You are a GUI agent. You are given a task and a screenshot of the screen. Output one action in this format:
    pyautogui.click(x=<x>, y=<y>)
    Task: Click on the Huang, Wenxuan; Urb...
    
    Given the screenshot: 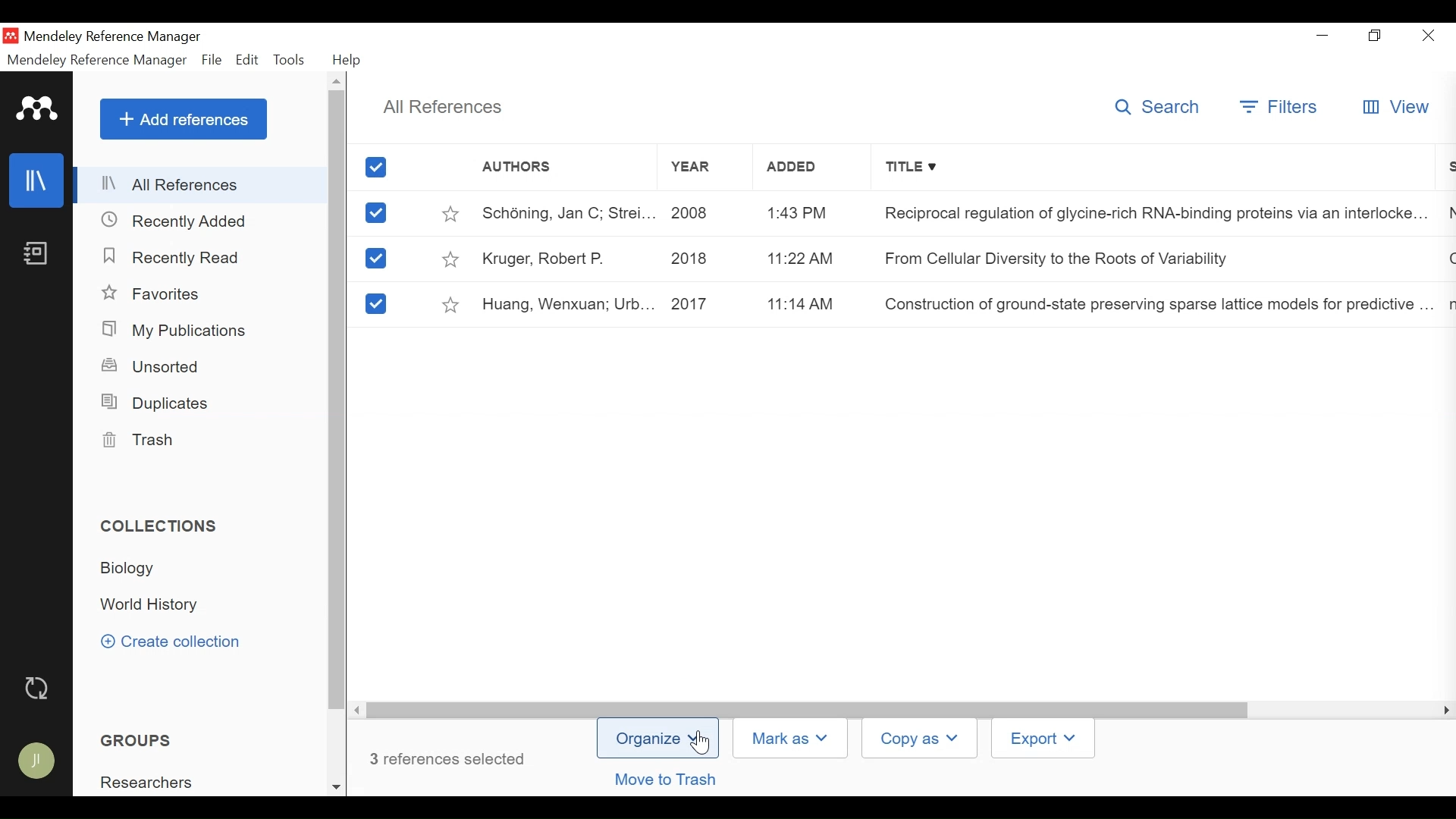 What is the action you would take?
    pyautogui.click(x=567, y=303)
    